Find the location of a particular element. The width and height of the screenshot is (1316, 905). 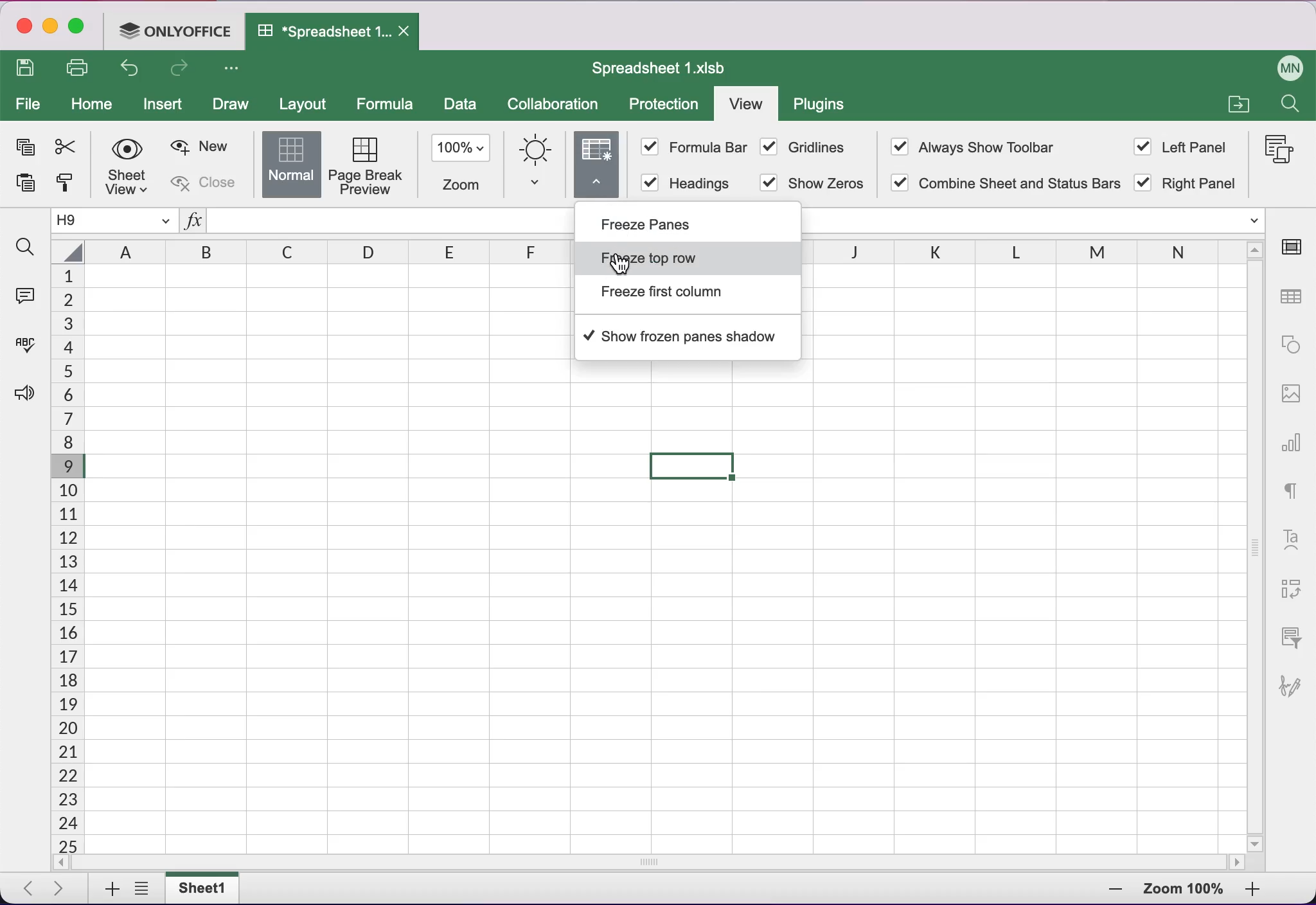

image is located at coordinates (1289, 400).